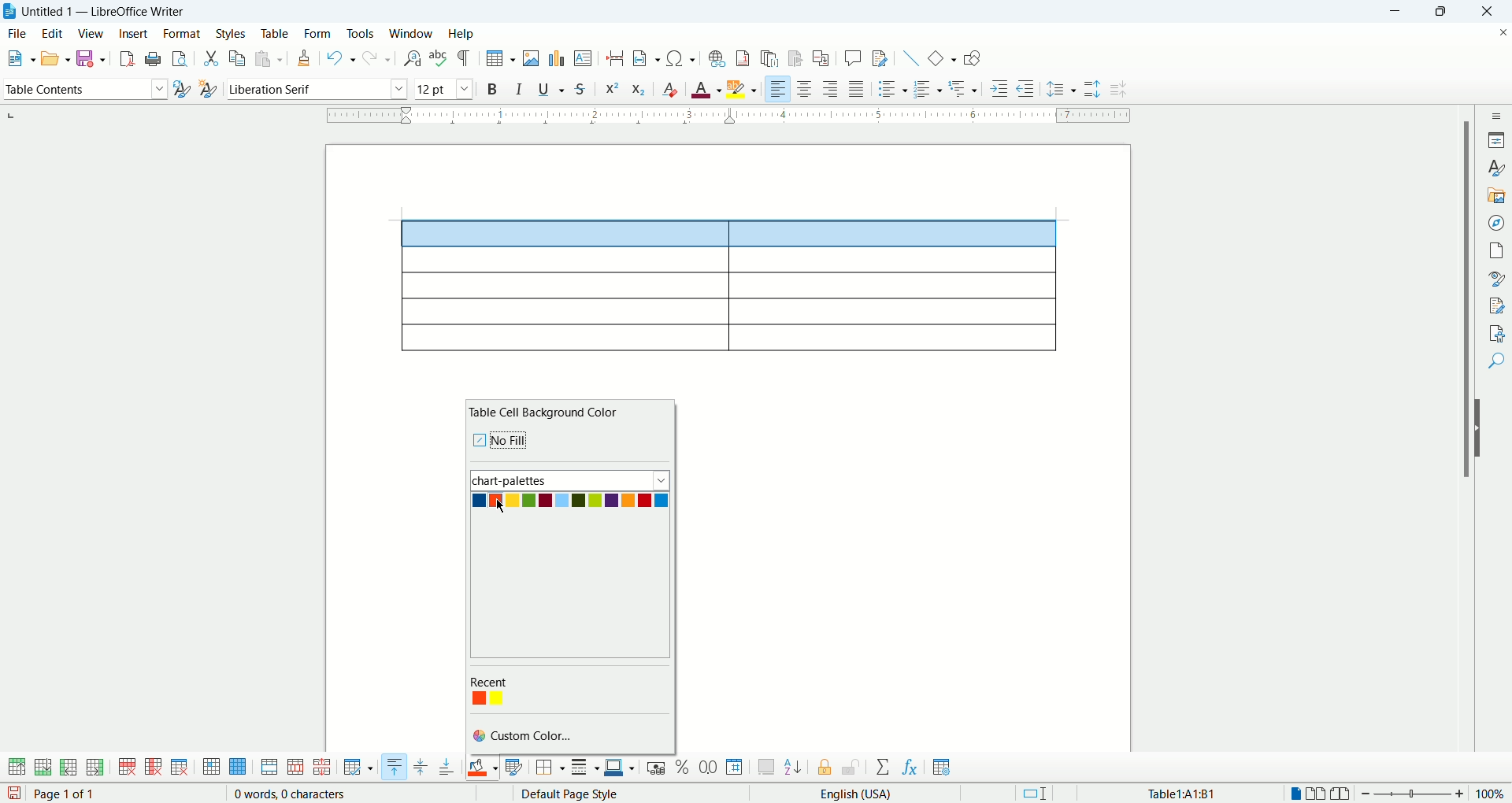 Image resolution: width=1512 pixels, height=803 pixels. Describe the element at coordinates (743, 89) in the screenshot. I see `character highlighting color` at that location.